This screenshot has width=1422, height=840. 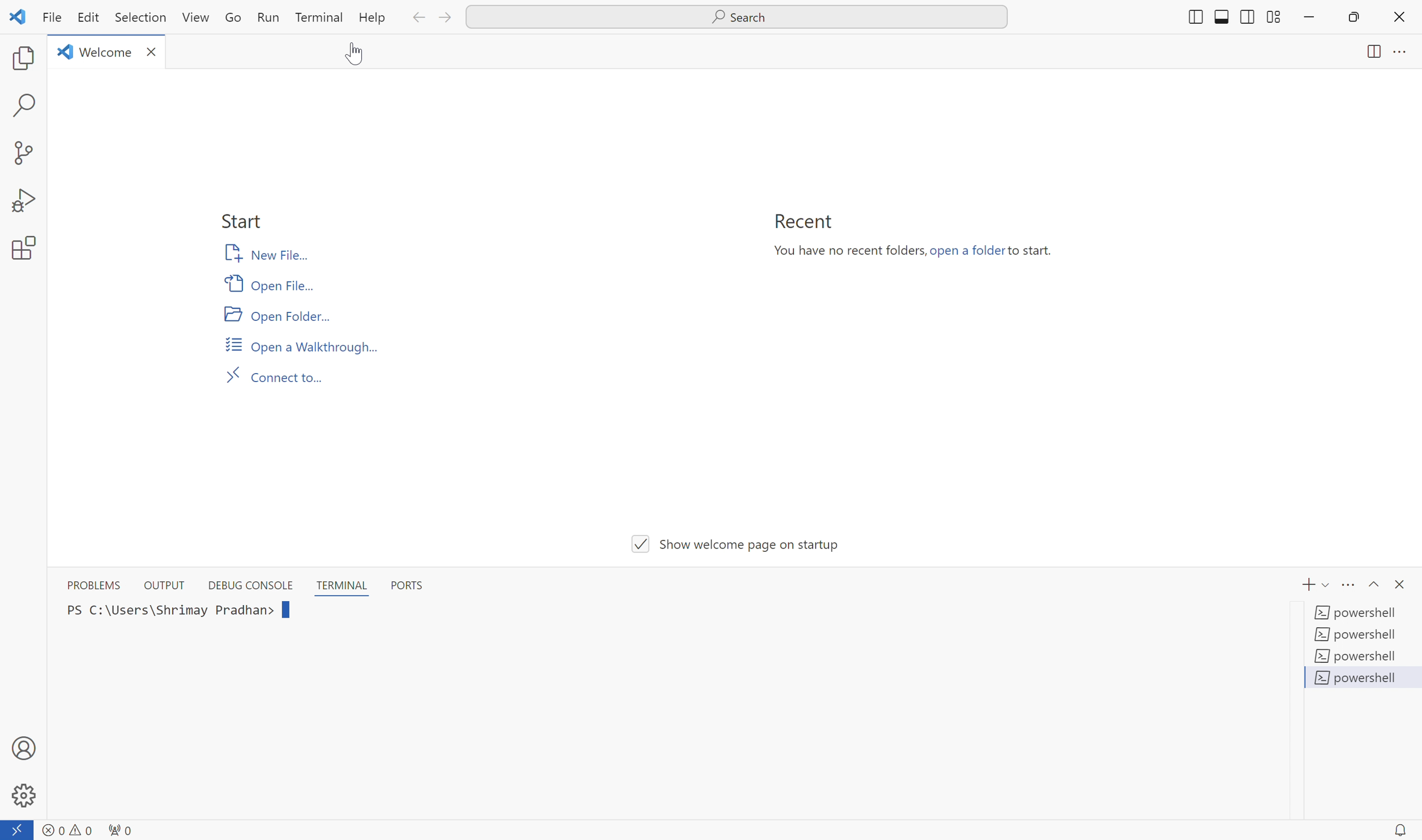 I want to click on connect to, so click(x=18, y=830).